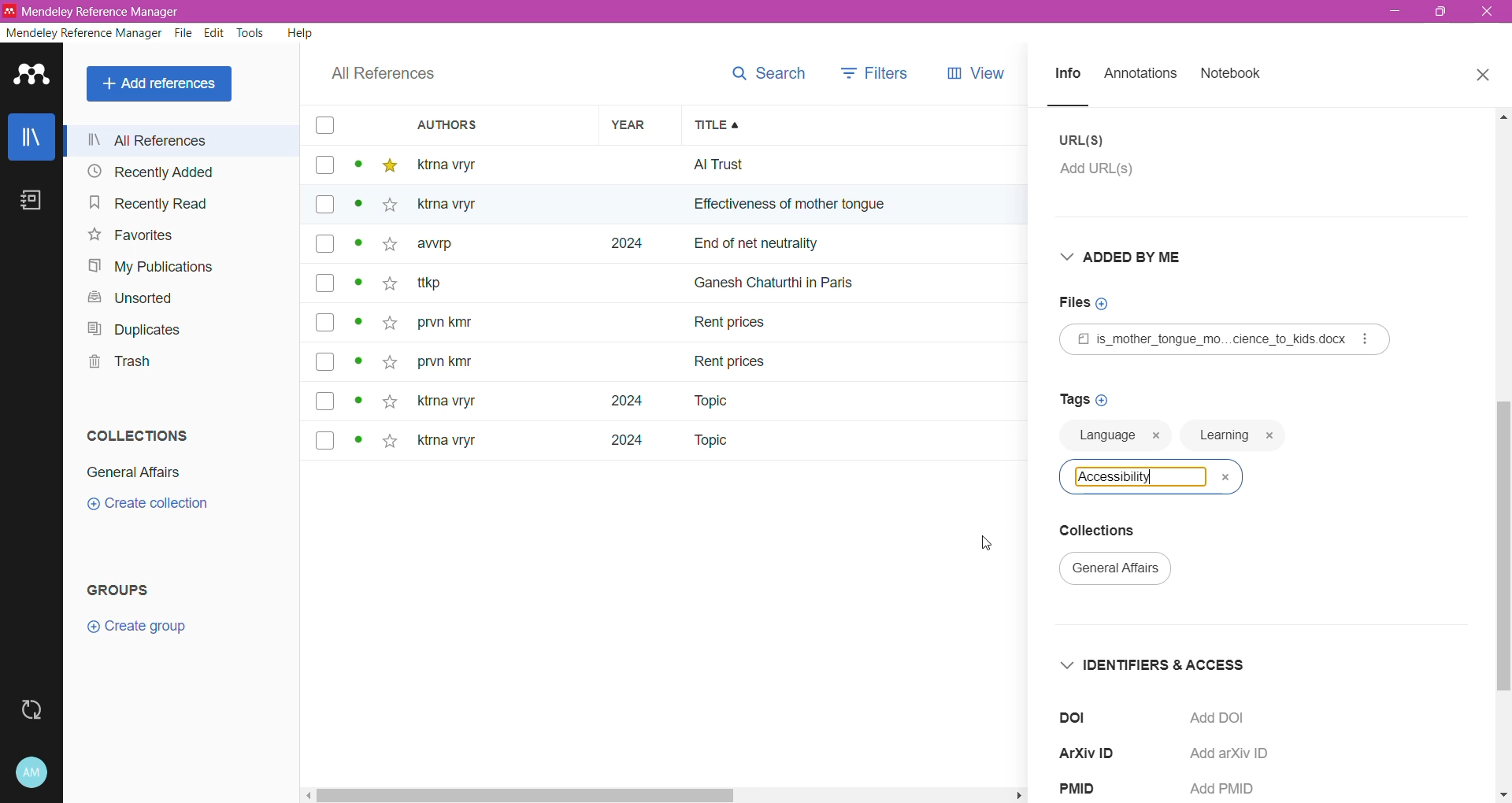 This screenshot has height=803, width=1512. I want to click on Annotations, so click(1140, 75).